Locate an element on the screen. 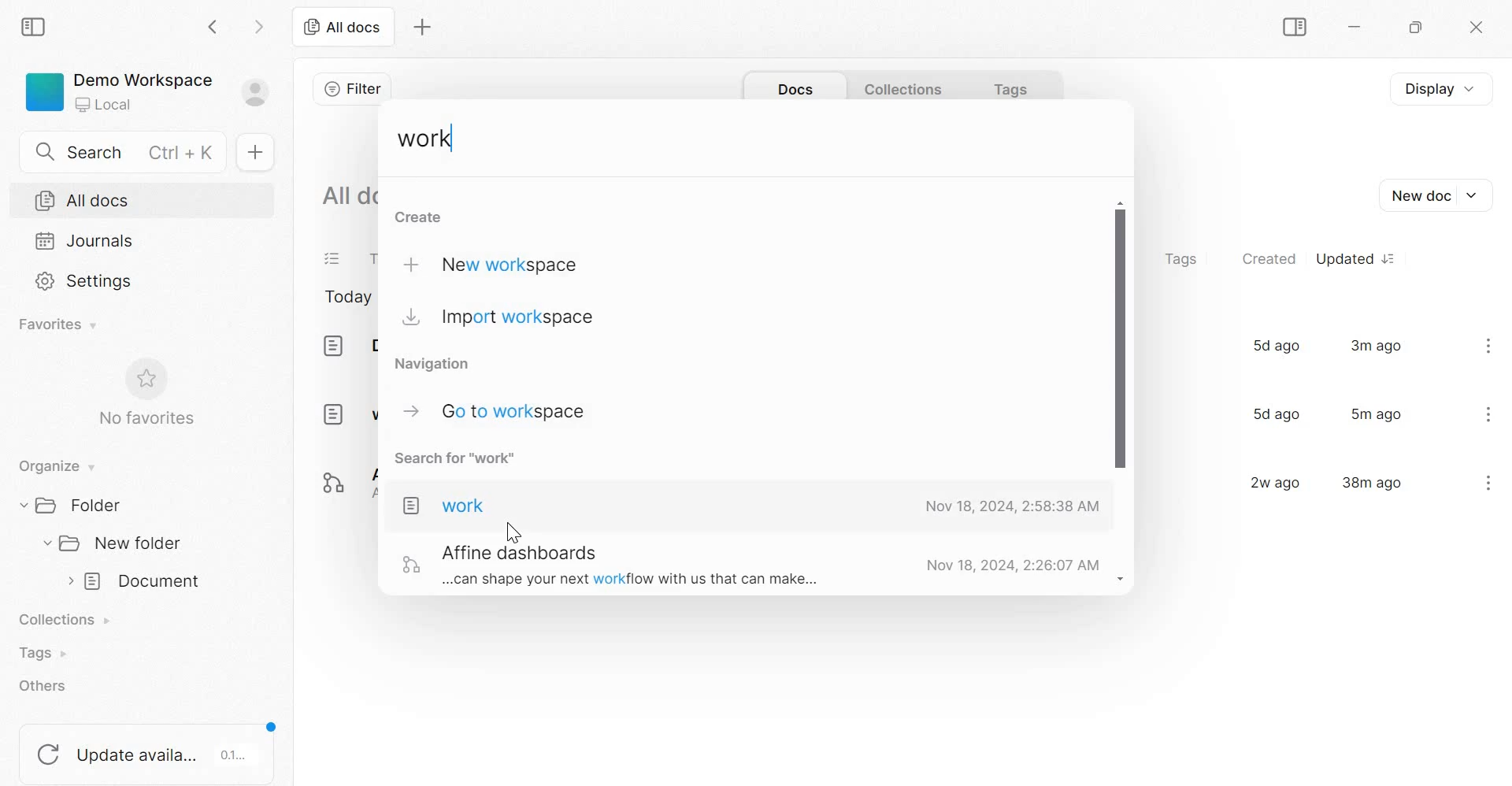 This screenshot has width=1512, height=786. All docs is located at coordinates (342, 26).